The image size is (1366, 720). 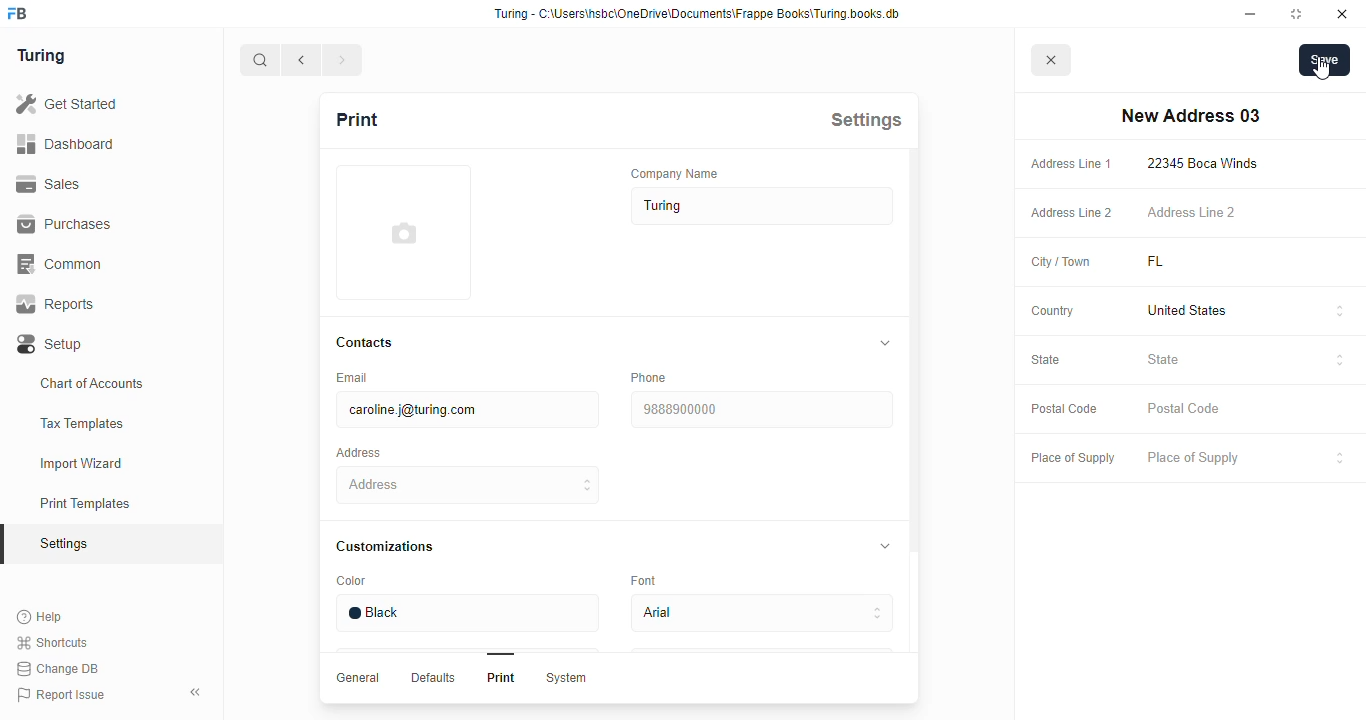 What do you see at coordinates (1325, 60) in the screenshot?
I see `save` at bounding box center [1325, 60].